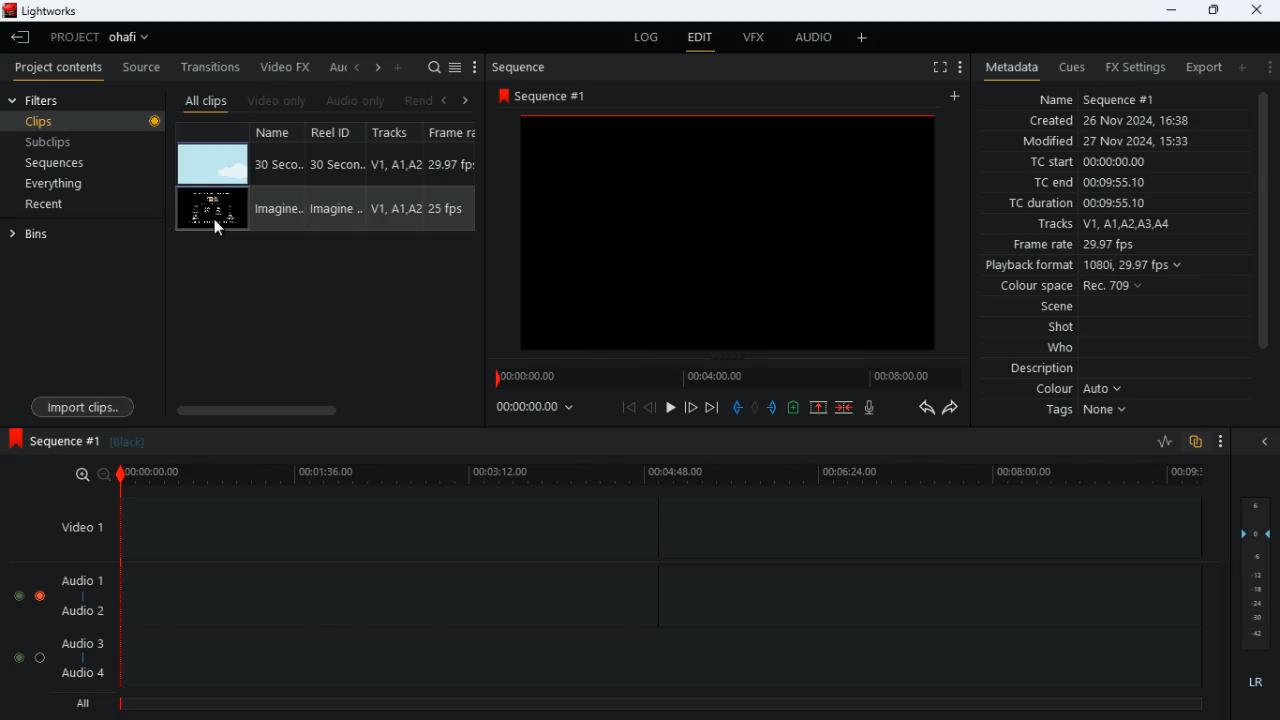 The height and width of the screenshot is (720, 1280). I want to click on sequence, so click(55, 438).